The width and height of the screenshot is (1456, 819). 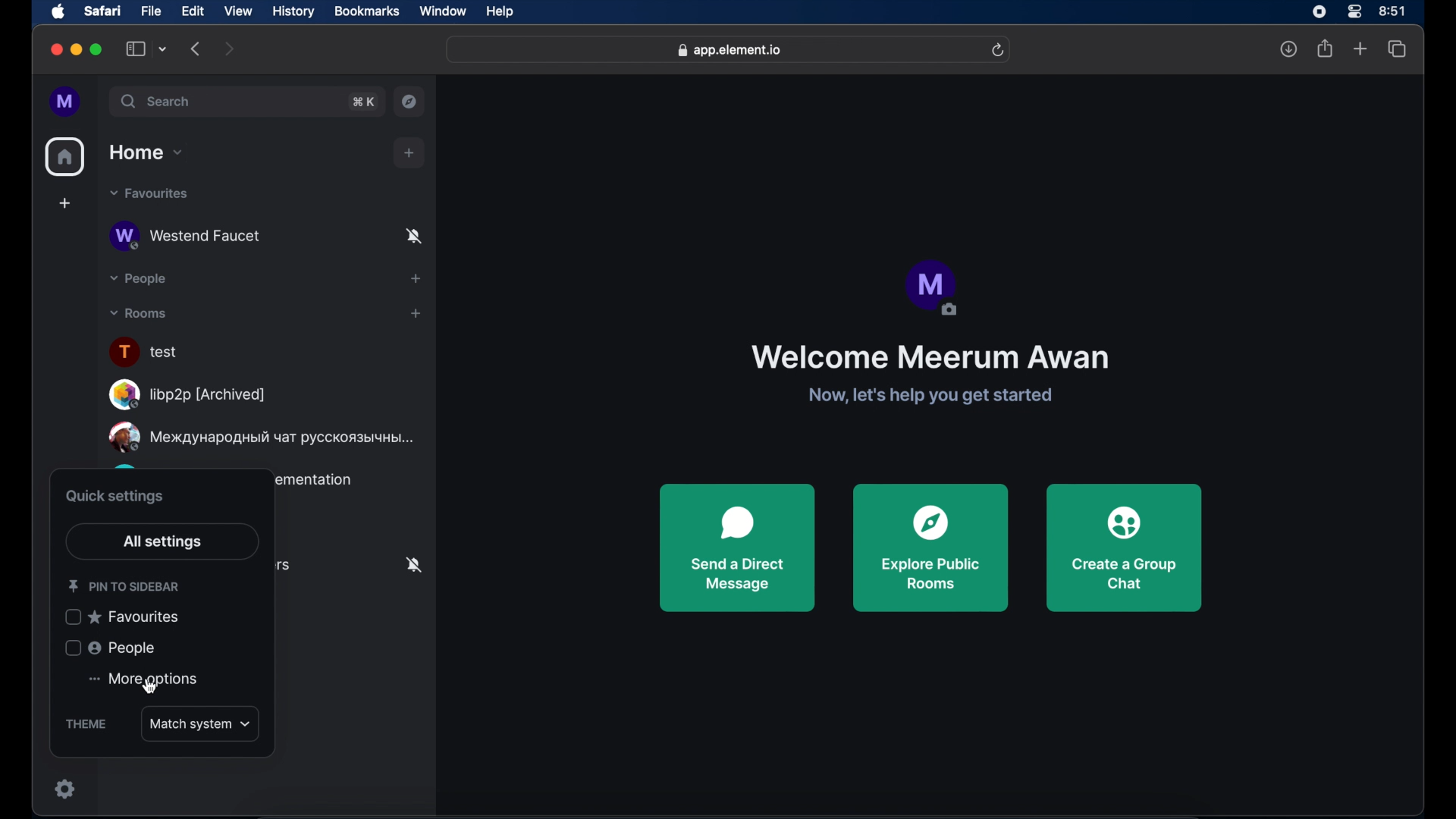 What do you see at coordinates (293, 12) in the screenshot?
I see `history` at bounding box center [293, 12].